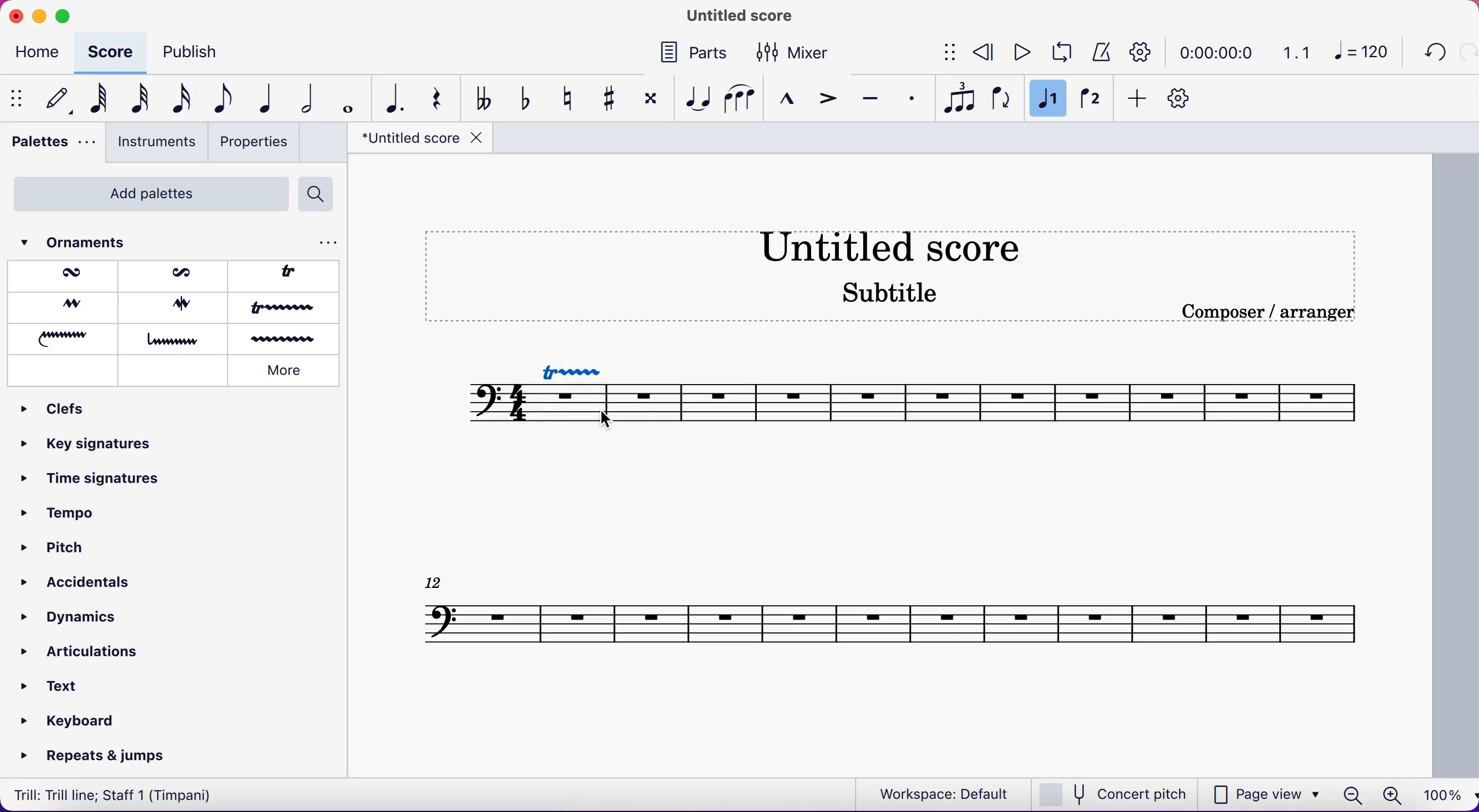 This screenshot has width=1479, height=812. Describe the element at coordinates (891, 613) in the screenshot. I see `Score` at that location.